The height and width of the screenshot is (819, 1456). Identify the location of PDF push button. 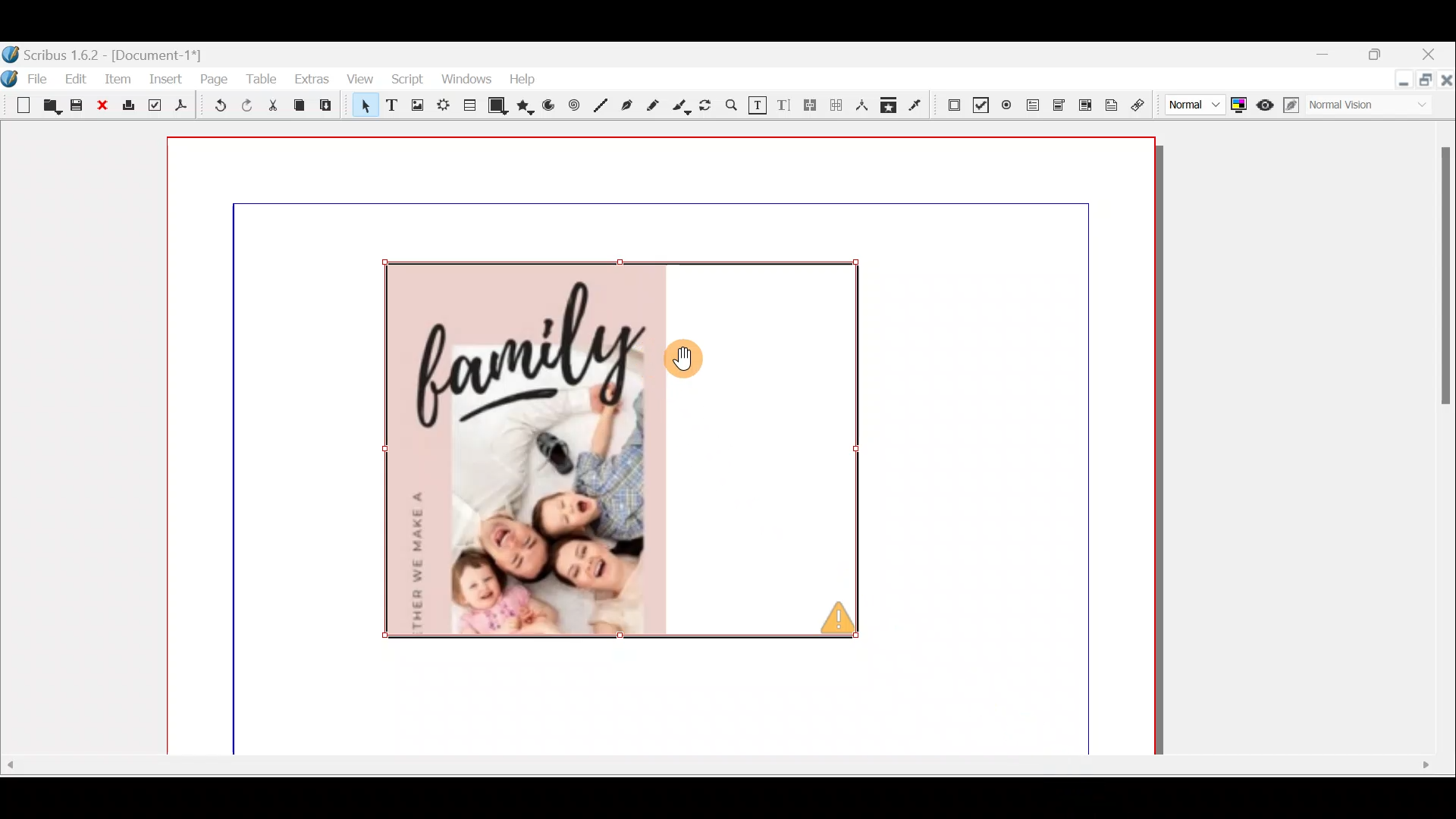
(949, 104).